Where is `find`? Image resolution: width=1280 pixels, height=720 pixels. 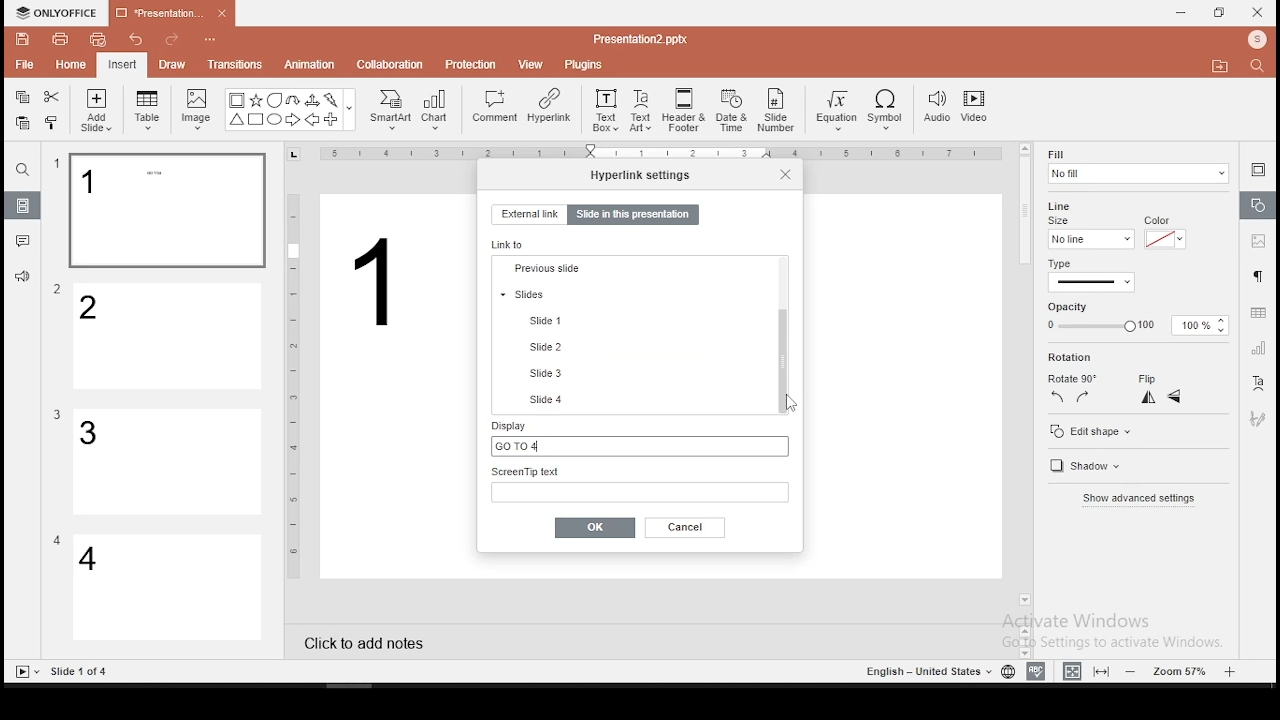
find is located at coordinates (22, 170).